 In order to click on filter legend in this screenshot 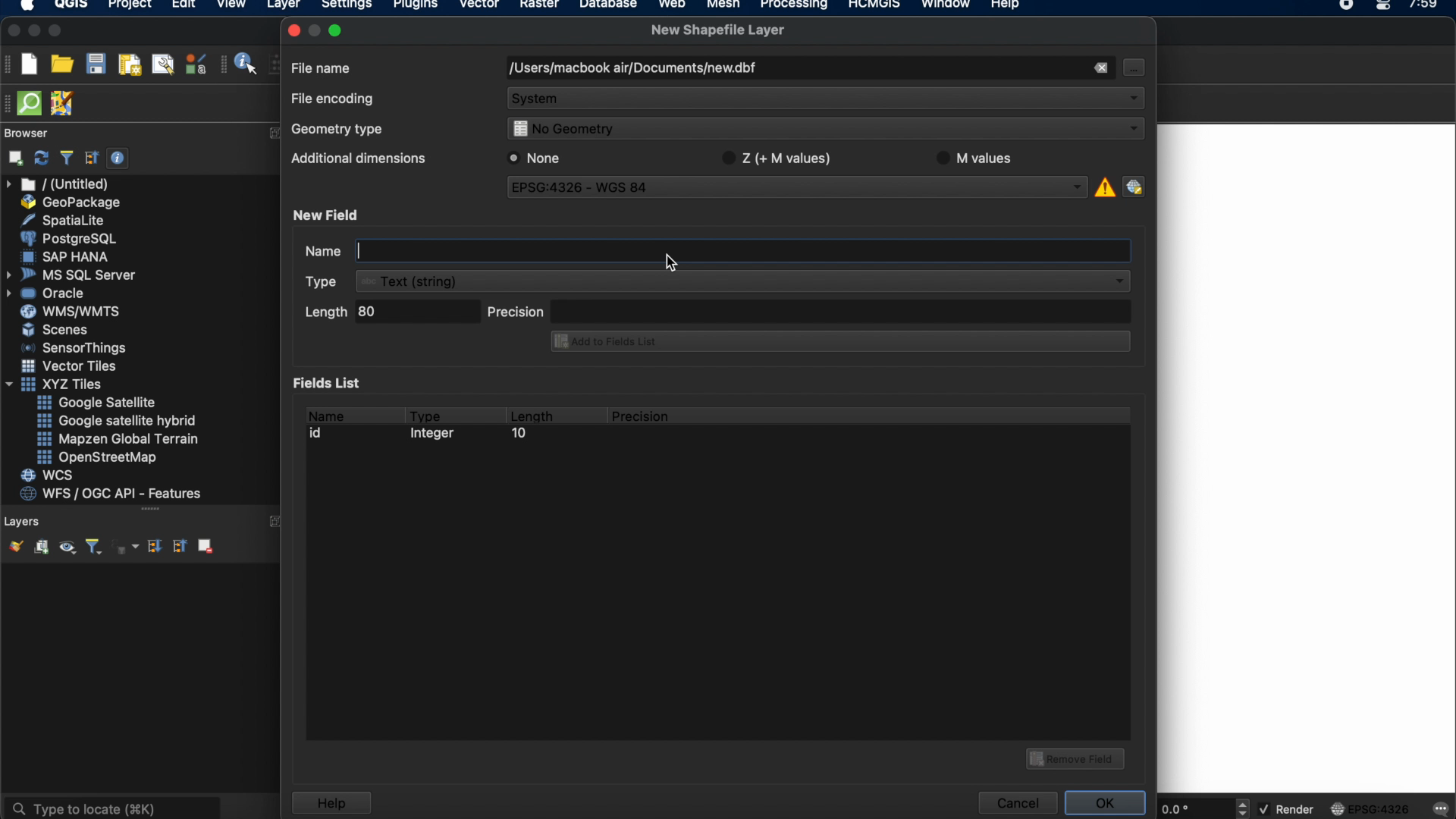, I will do `click(93, 548)`.